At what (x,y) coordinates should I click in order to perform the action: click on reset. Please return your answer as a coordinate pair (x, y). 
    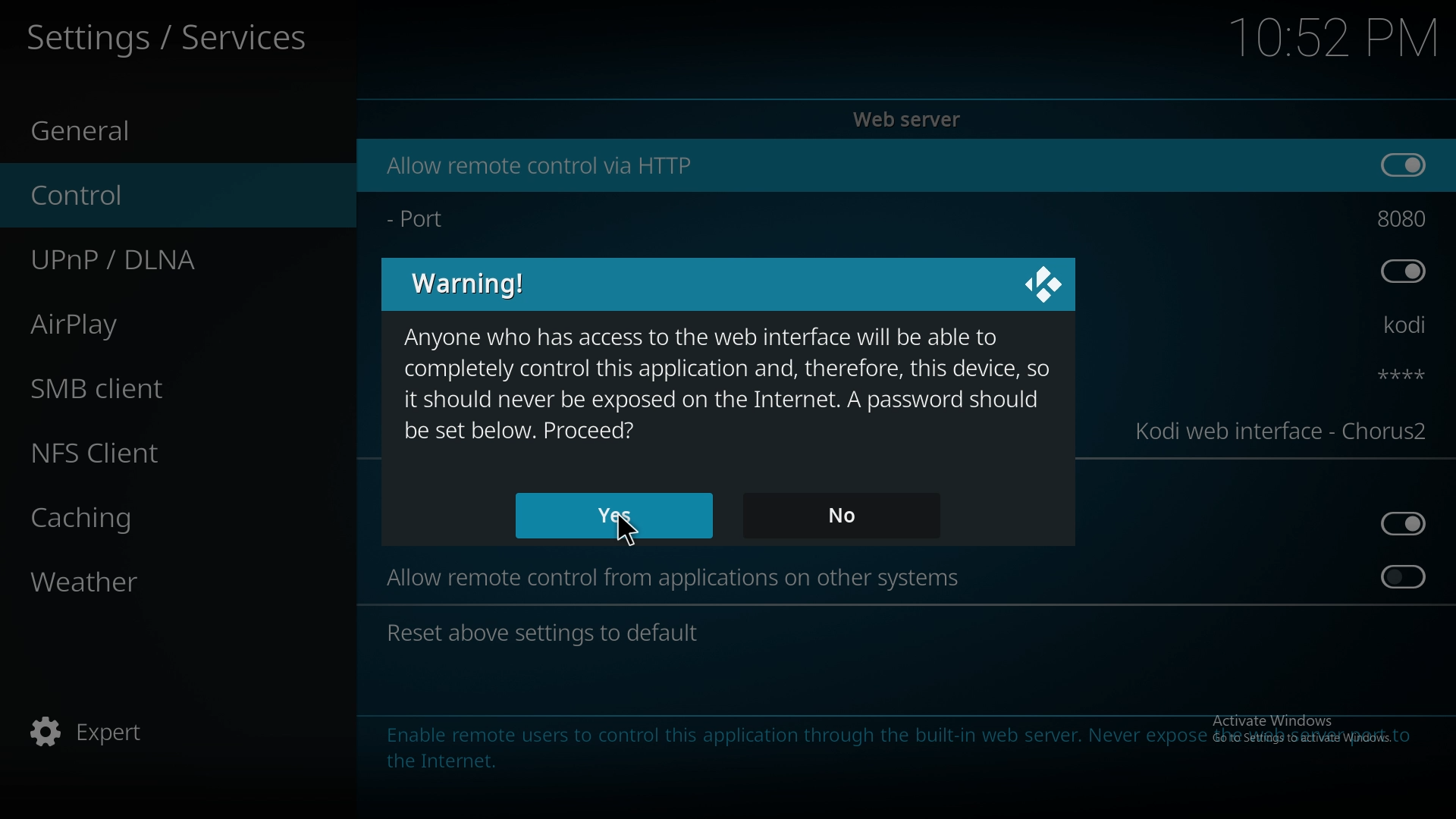
    Looking at the image, I should click on (548, 634).